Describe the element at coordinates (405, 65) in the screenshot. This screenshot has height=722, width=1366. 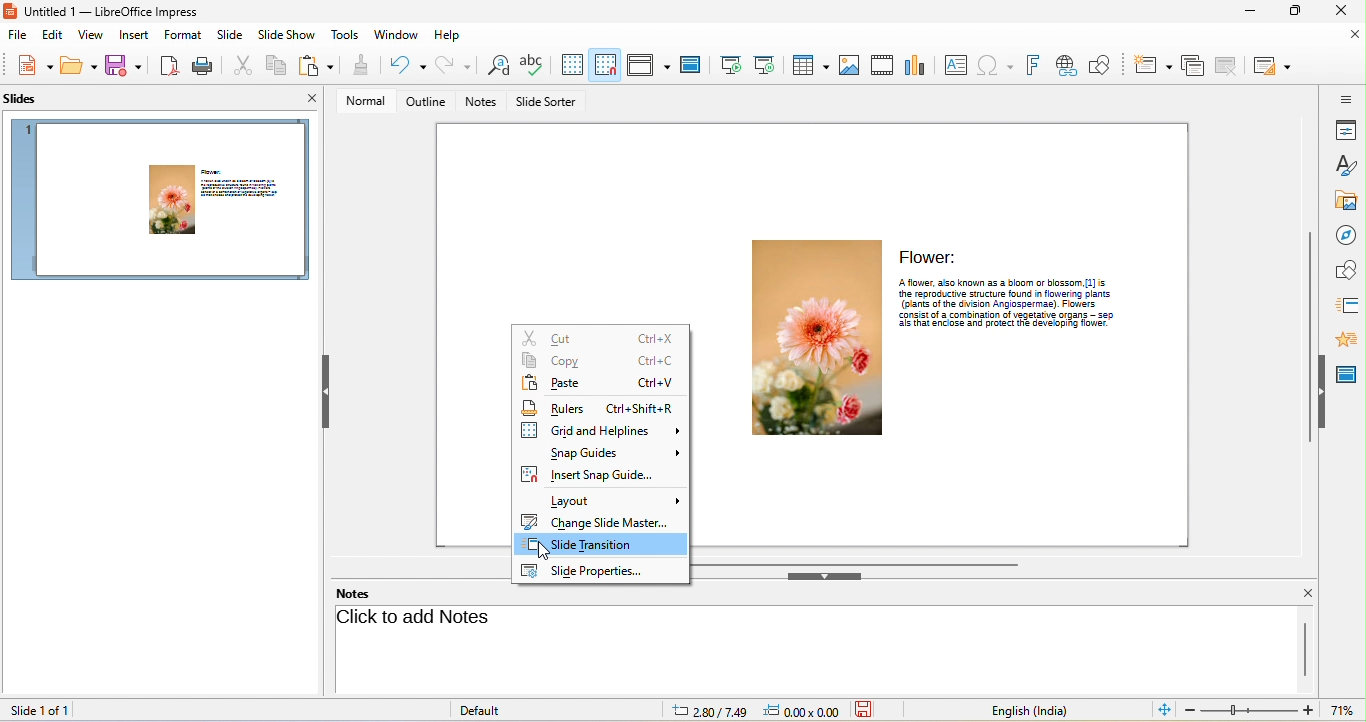
I see `undo` at that location.